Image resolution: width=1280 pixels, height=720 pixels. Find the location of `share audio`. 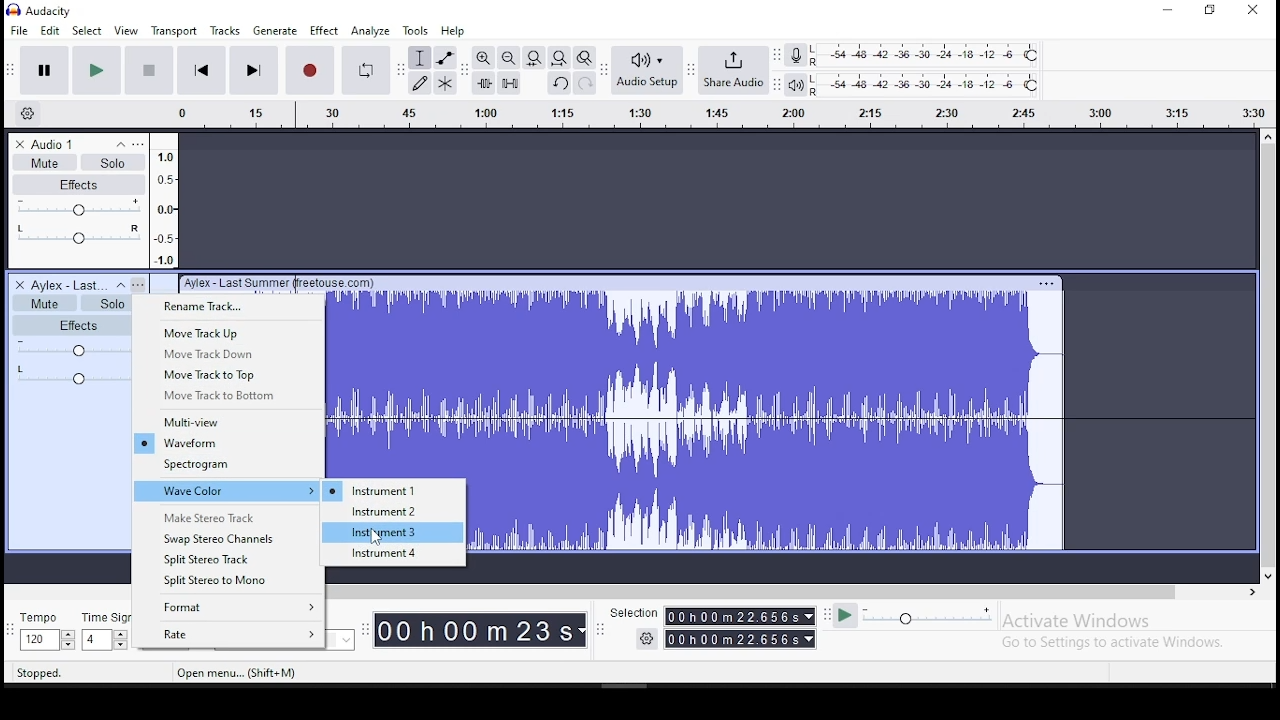

share audio is located at coordinates (733, 70).